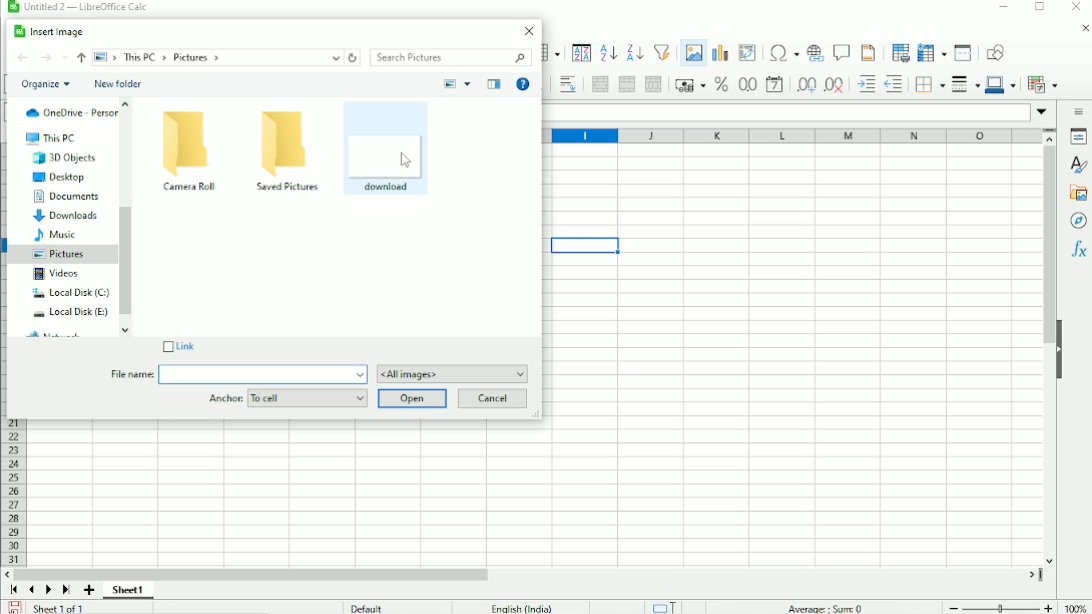 Image resolution: width=1092 pixels, height=614 pixels. Describe the element at coordinates (785, 112) in the screenshot. I see `Input line` at that location.